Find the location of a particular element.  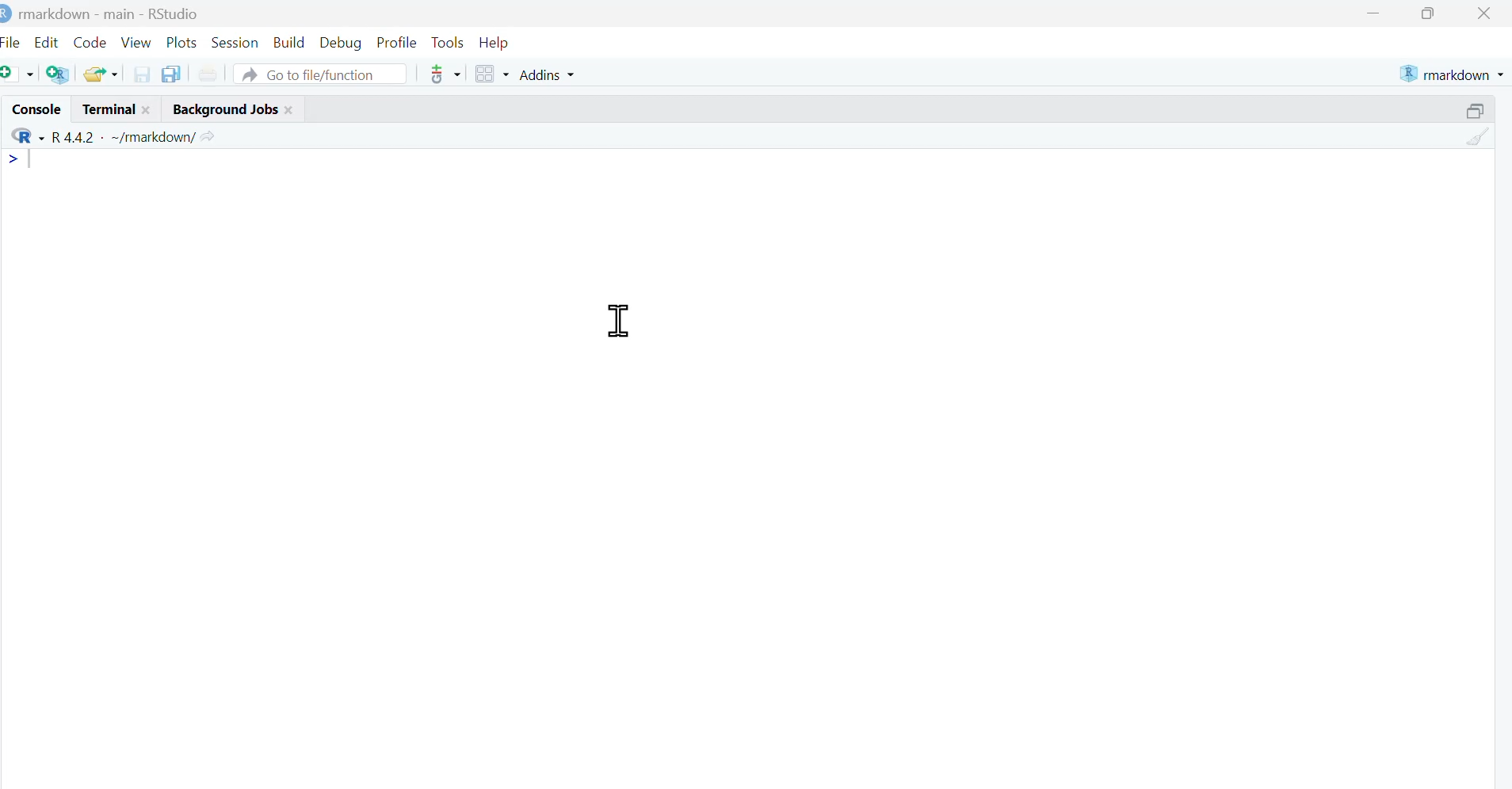

create project is located at coordinates (57, 74).